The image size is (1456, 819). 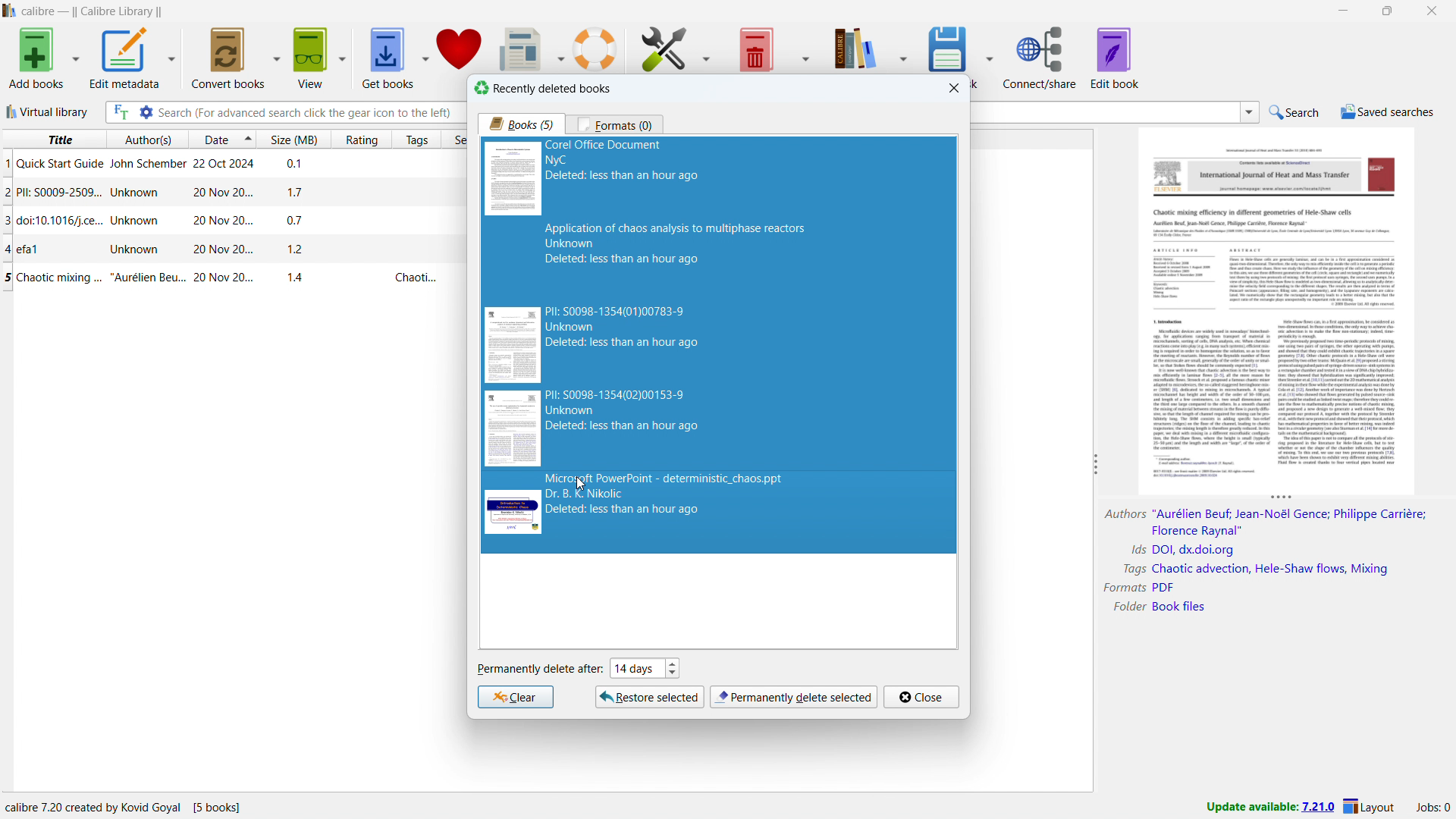 I want to click on calibre library, so click(x=855, y=47).